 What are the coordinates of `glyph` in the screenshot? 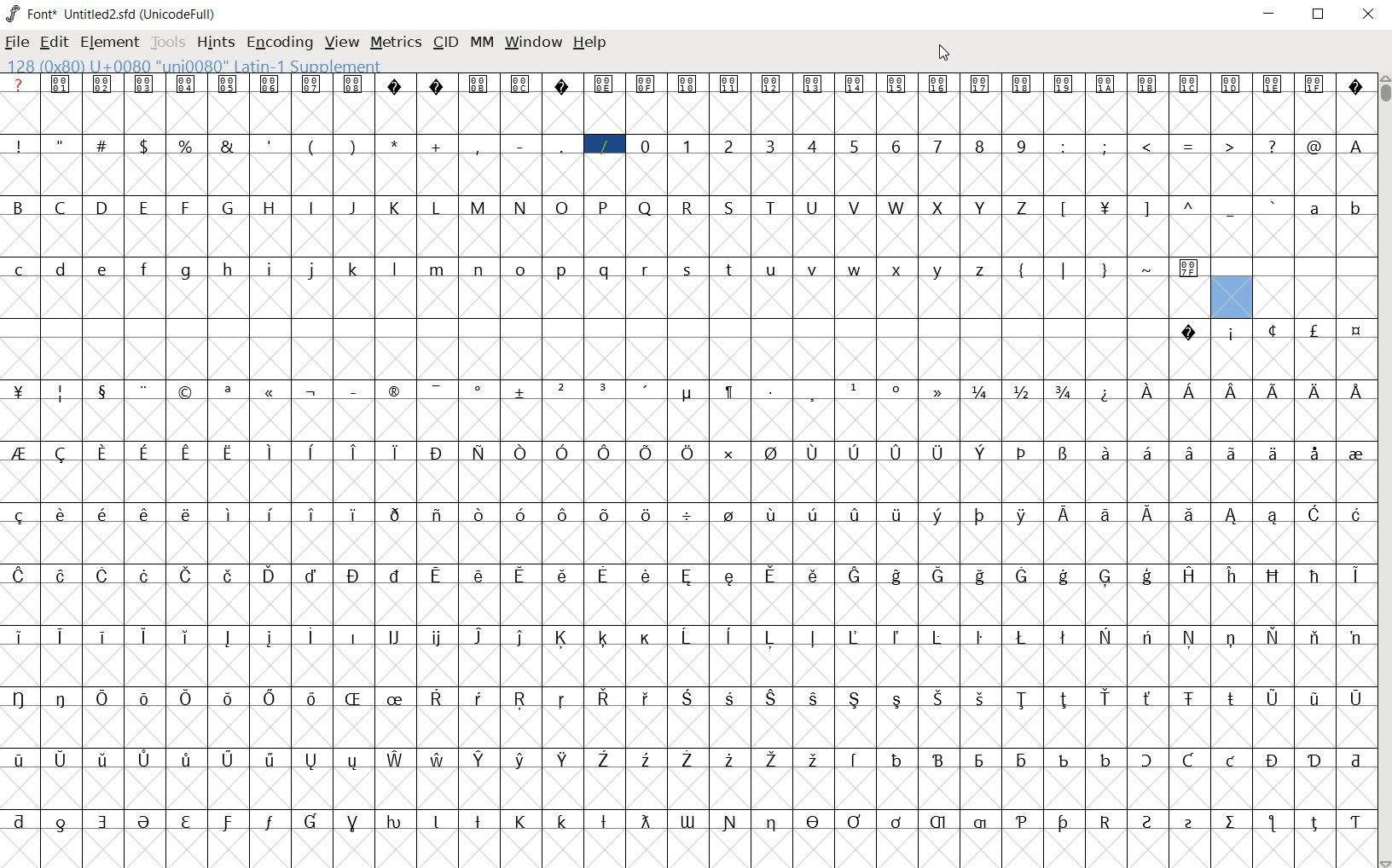 It's located at (438, 270).